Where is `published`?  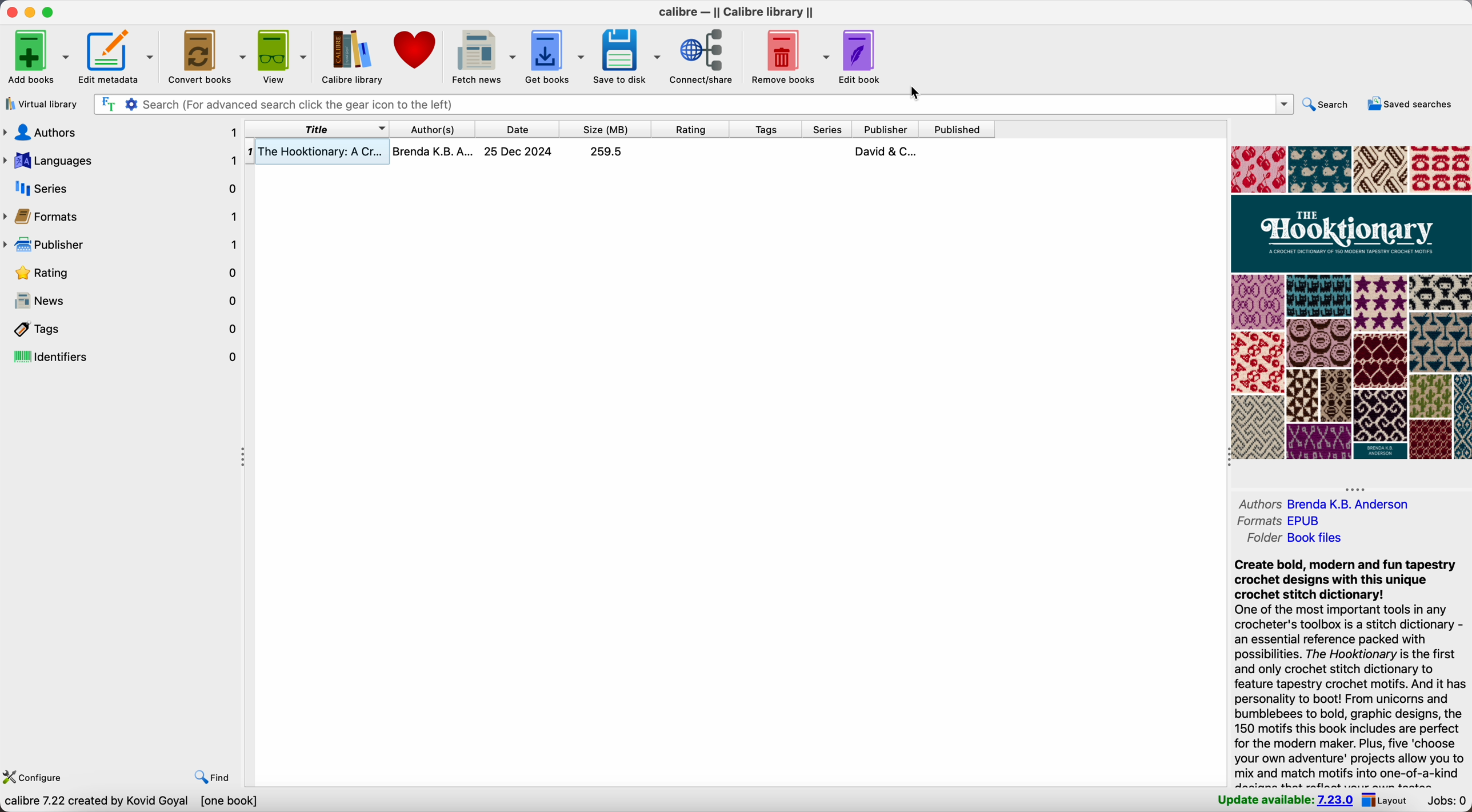 published is located at coordinates (958, 129).